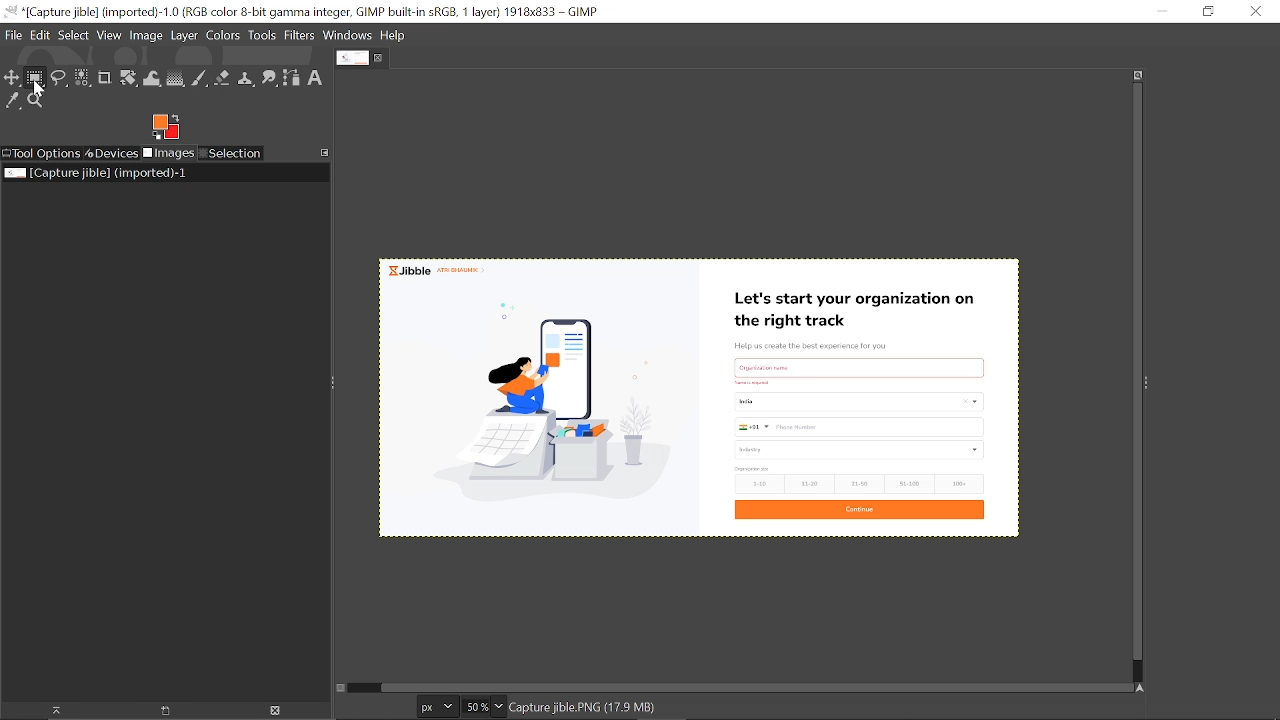 The image size is (1280, 720). I want to click on Tool options, so click(42, 153).